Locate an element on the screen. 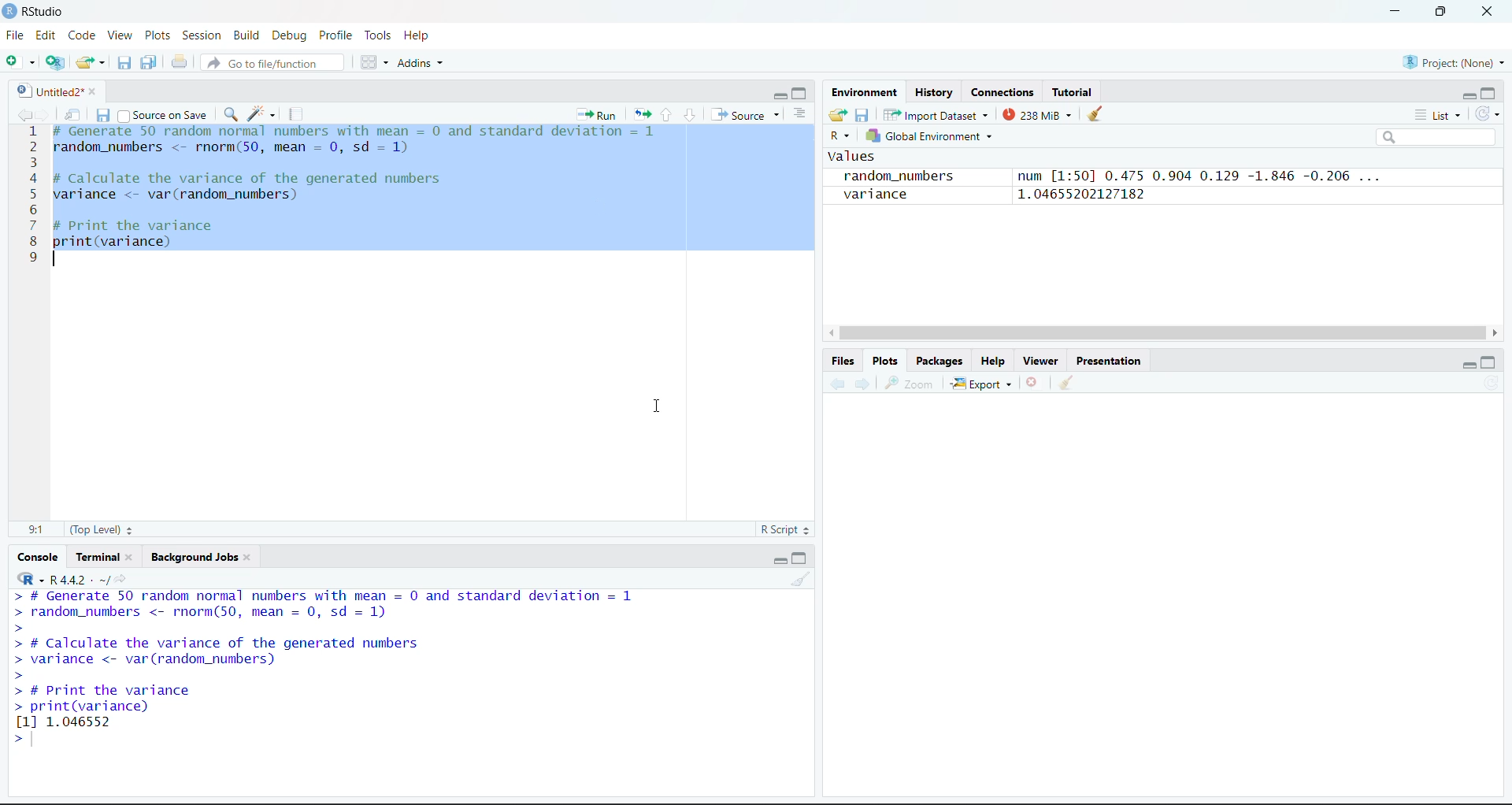 The image size is (1512, 805). Tools is located at coordinates (380, 35).